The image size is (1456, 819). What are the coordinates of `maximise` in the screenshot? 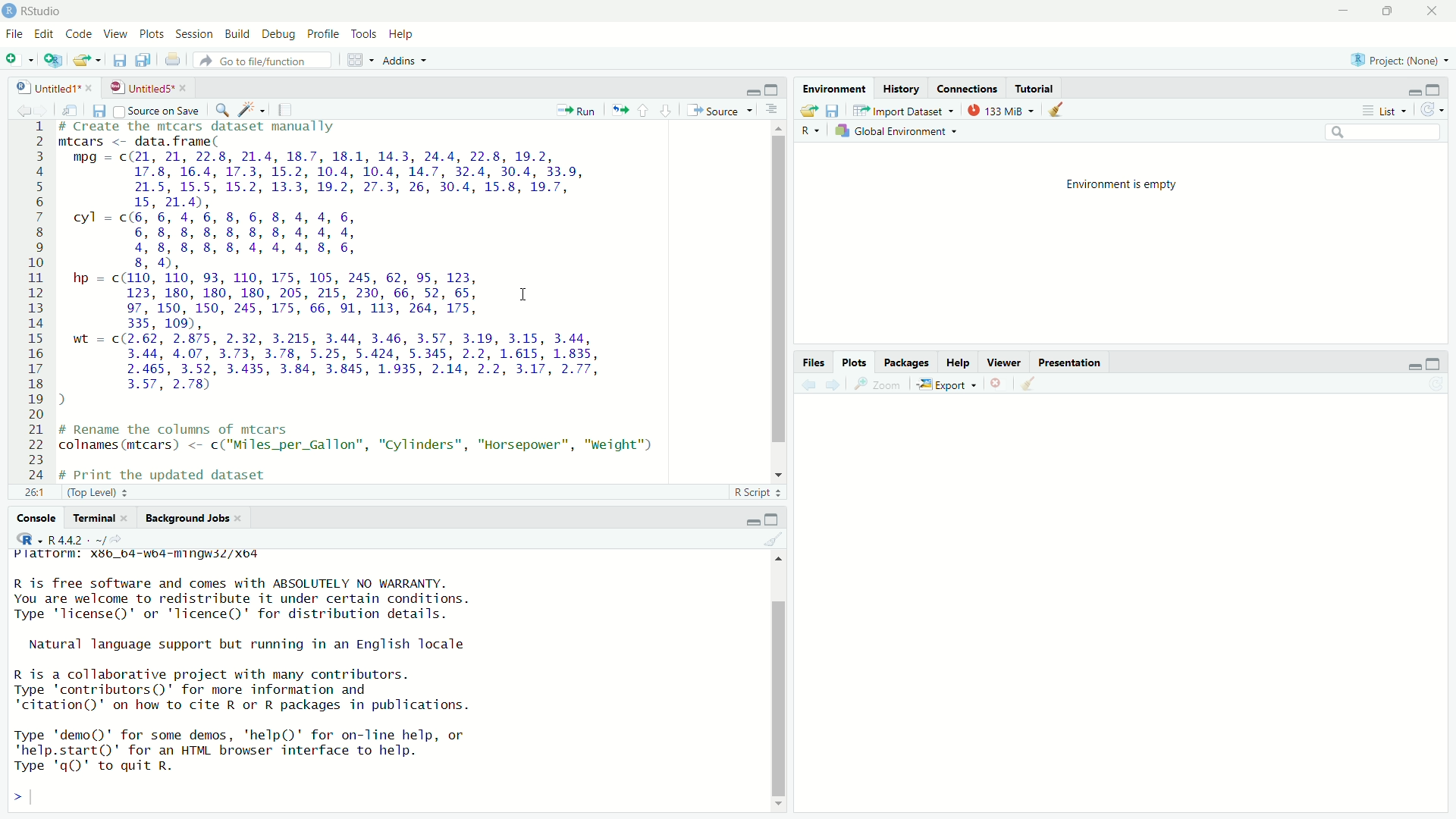 It's located at (771, 89).